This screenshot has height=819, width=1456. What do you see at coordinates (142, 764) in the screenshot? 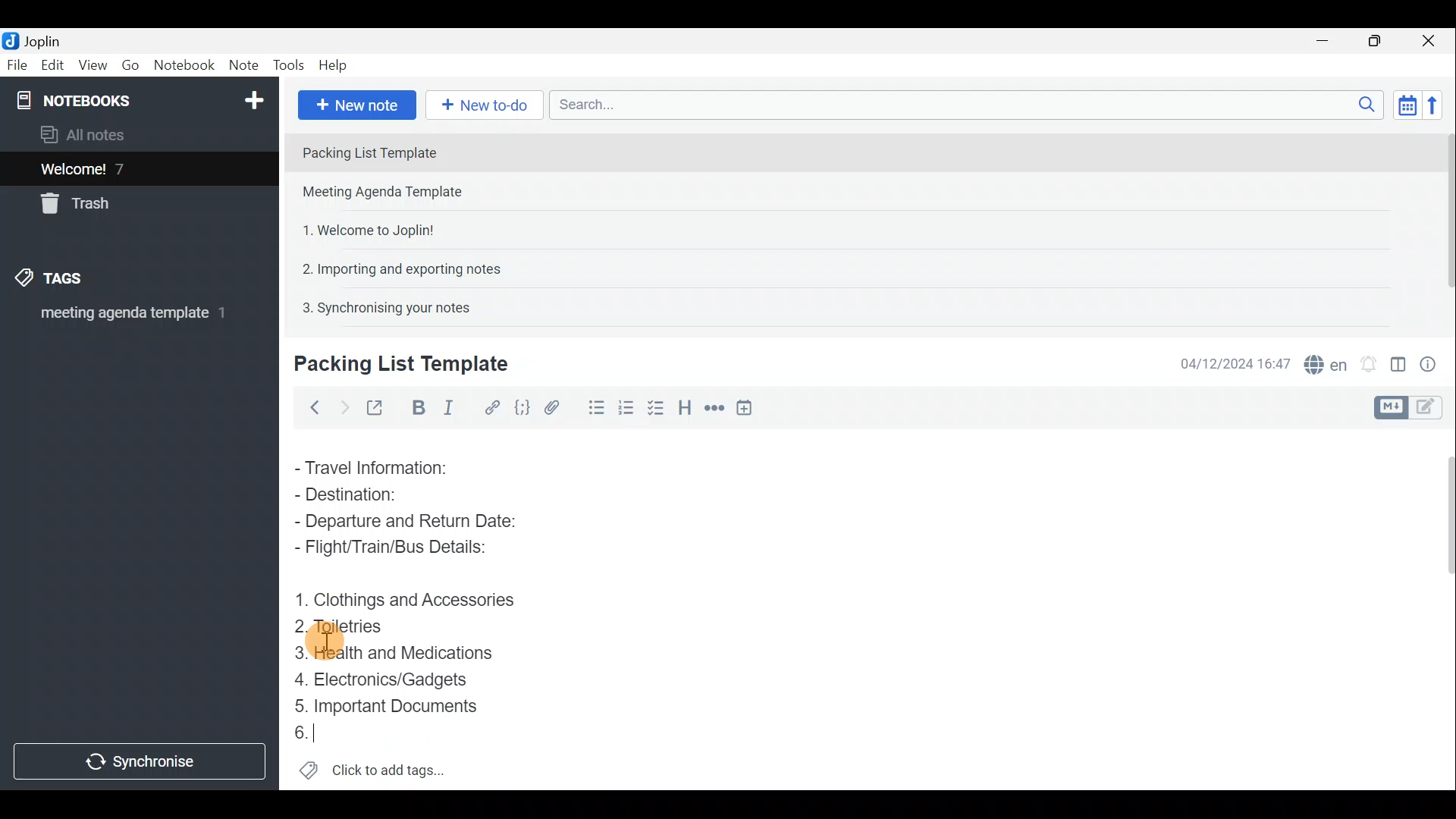
I see `Synchronise` at bounding box center [142, 764].